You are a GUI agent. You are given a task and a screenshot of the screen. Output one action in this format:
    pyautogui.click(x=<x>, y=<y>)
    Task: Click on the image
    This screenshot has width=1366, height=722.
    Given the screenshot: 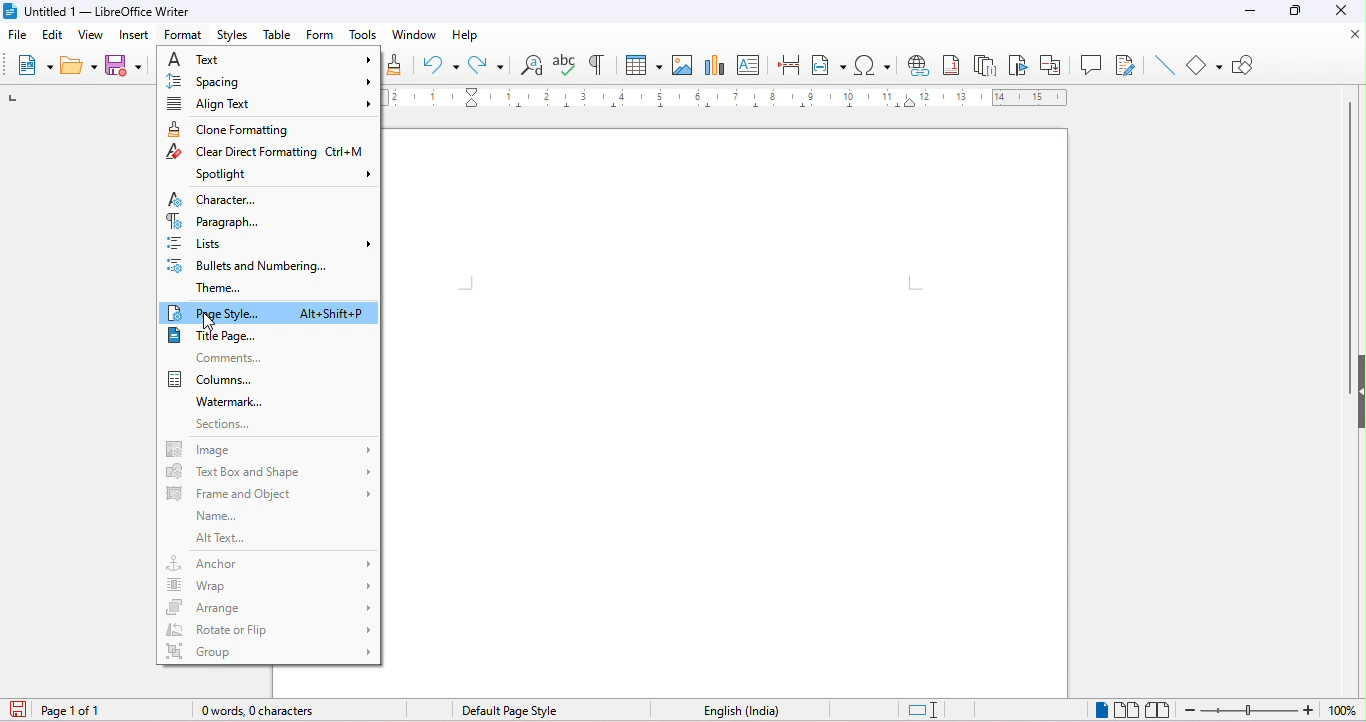 What is the action you would take?
    pyautogui.click(x=270, y=449)
    